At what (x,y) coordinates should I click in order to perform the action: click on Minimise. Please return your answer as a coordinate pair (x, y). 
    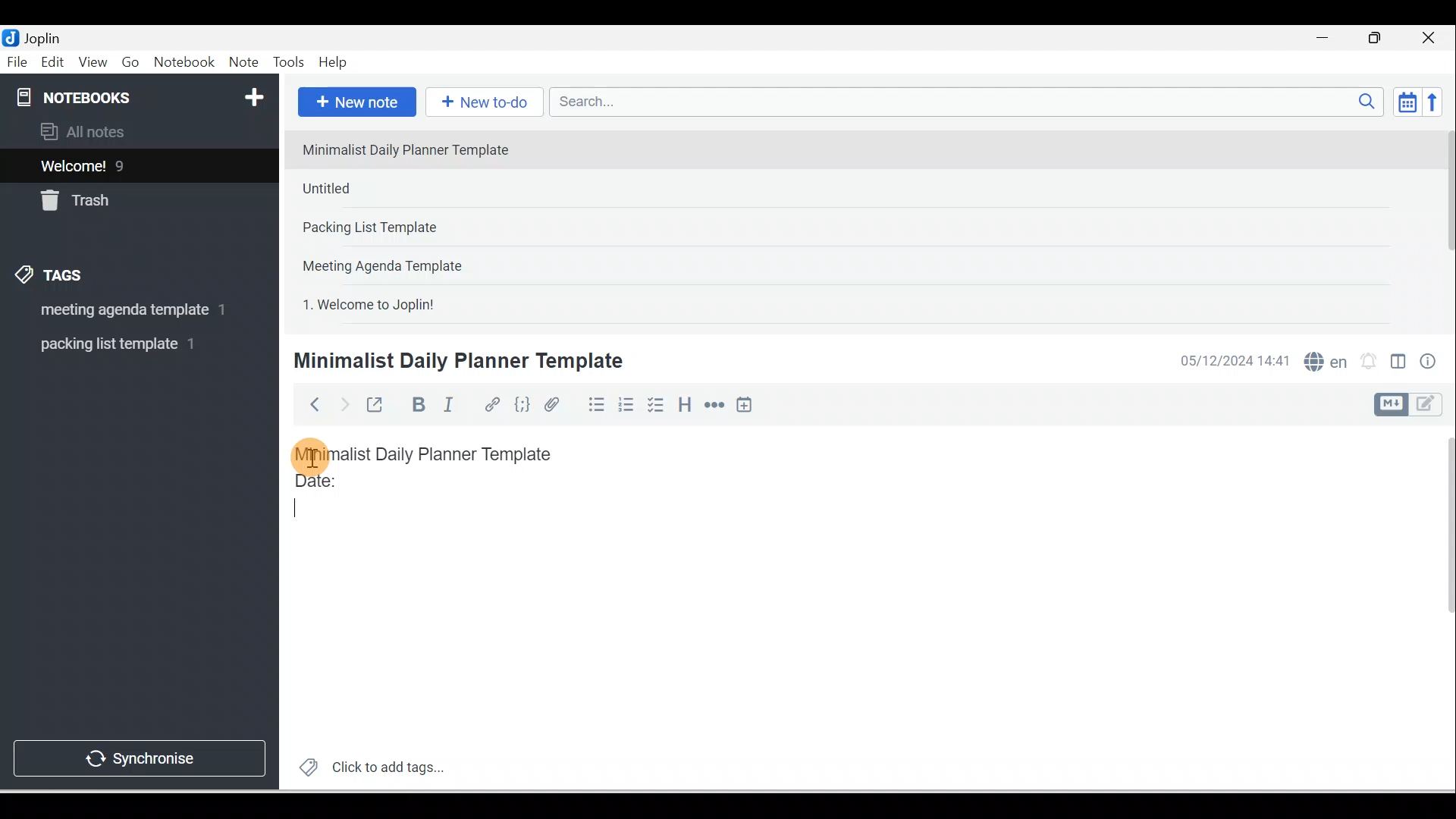
    Looking at the image, I should click on (1327, 39).